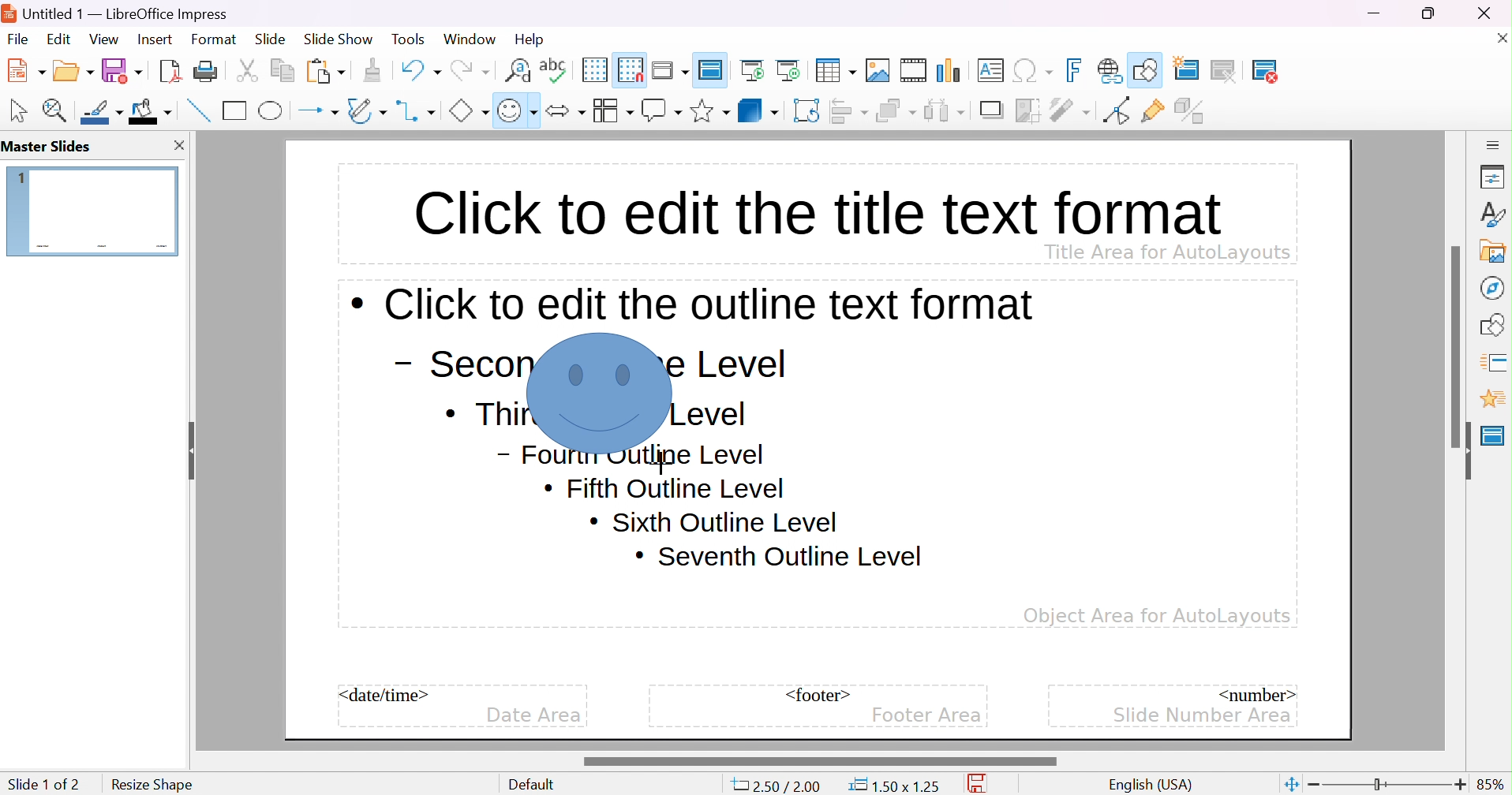 The image size is (1512, 795). Describe the element at coordinates (926, 715) in the screenshot. I see `footer area` at that location.